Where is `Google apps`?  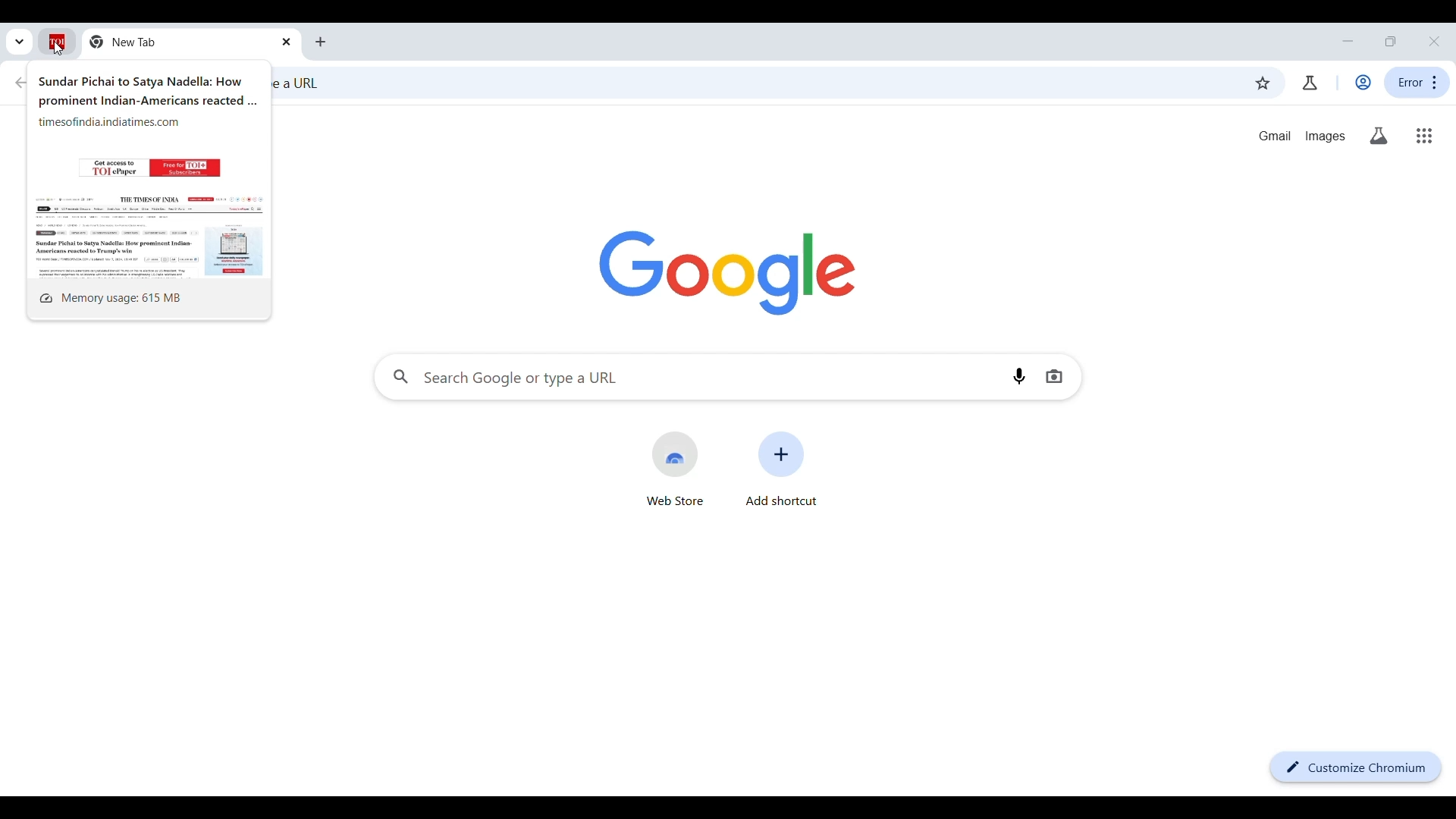
Google apps is located at coordinates (1424, 136).